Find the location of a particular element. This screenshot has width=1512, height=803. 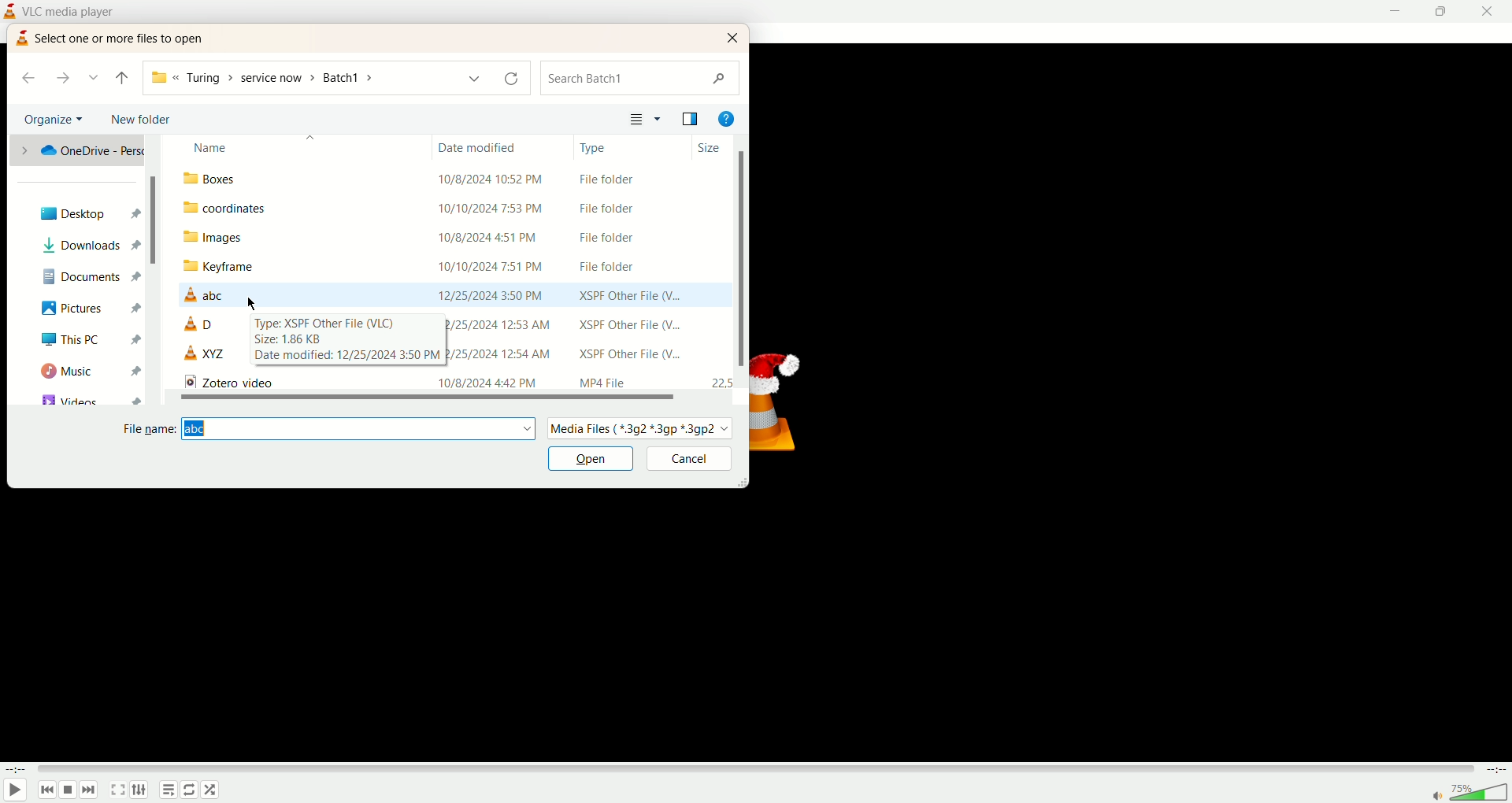

back is located at coordinates (30, 76).